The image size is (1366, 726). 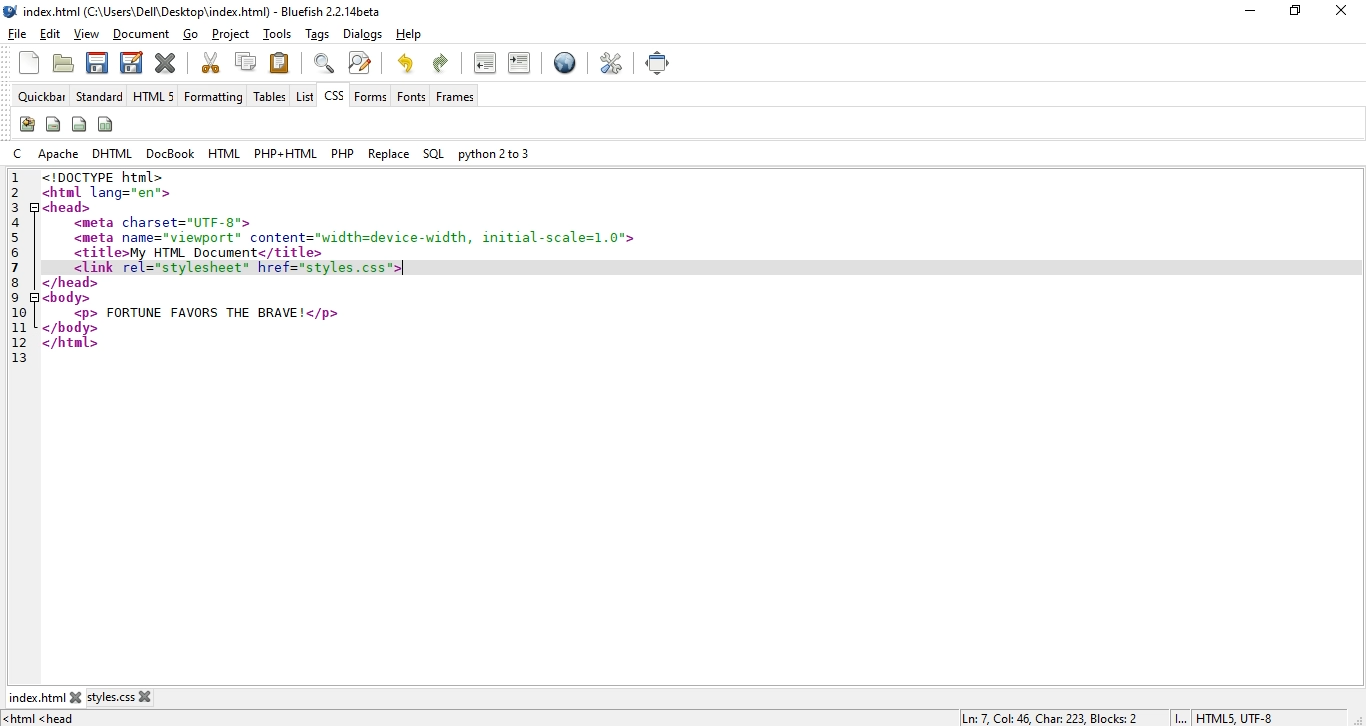 I want to click on <p> FORTUNE FAVORS THE BRAVE'!</p>, so click(x=205, y=313).